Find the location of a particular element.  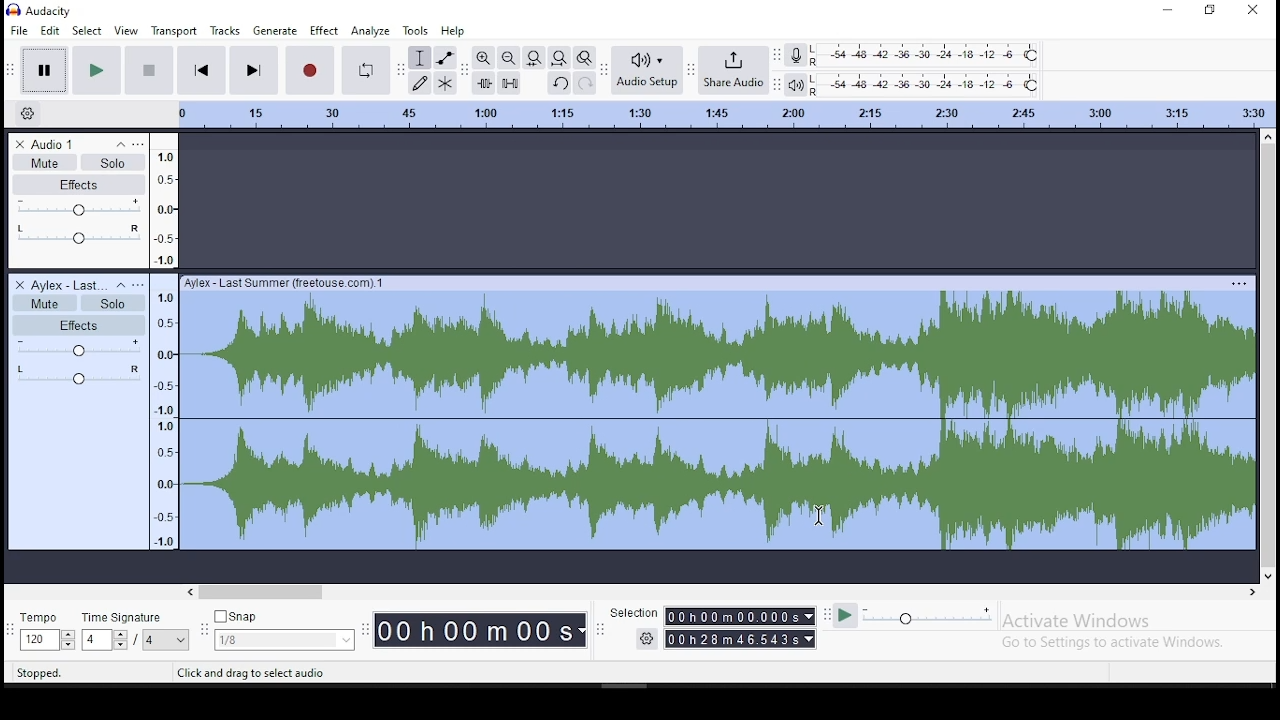

tracks is located at coordinates (226, 30).